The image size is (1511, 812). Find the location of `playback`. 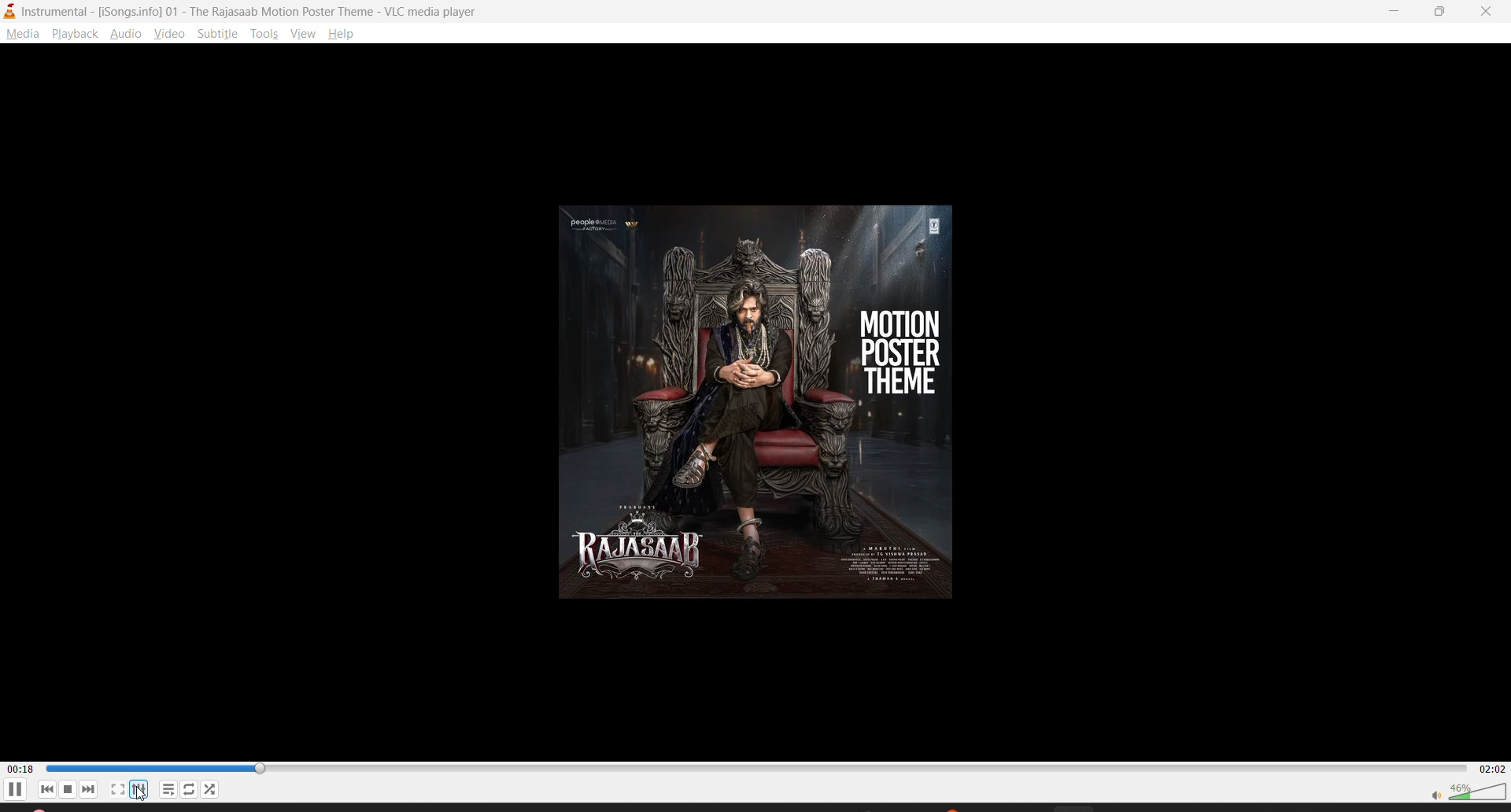

playback is located at coordinates (78, 35).